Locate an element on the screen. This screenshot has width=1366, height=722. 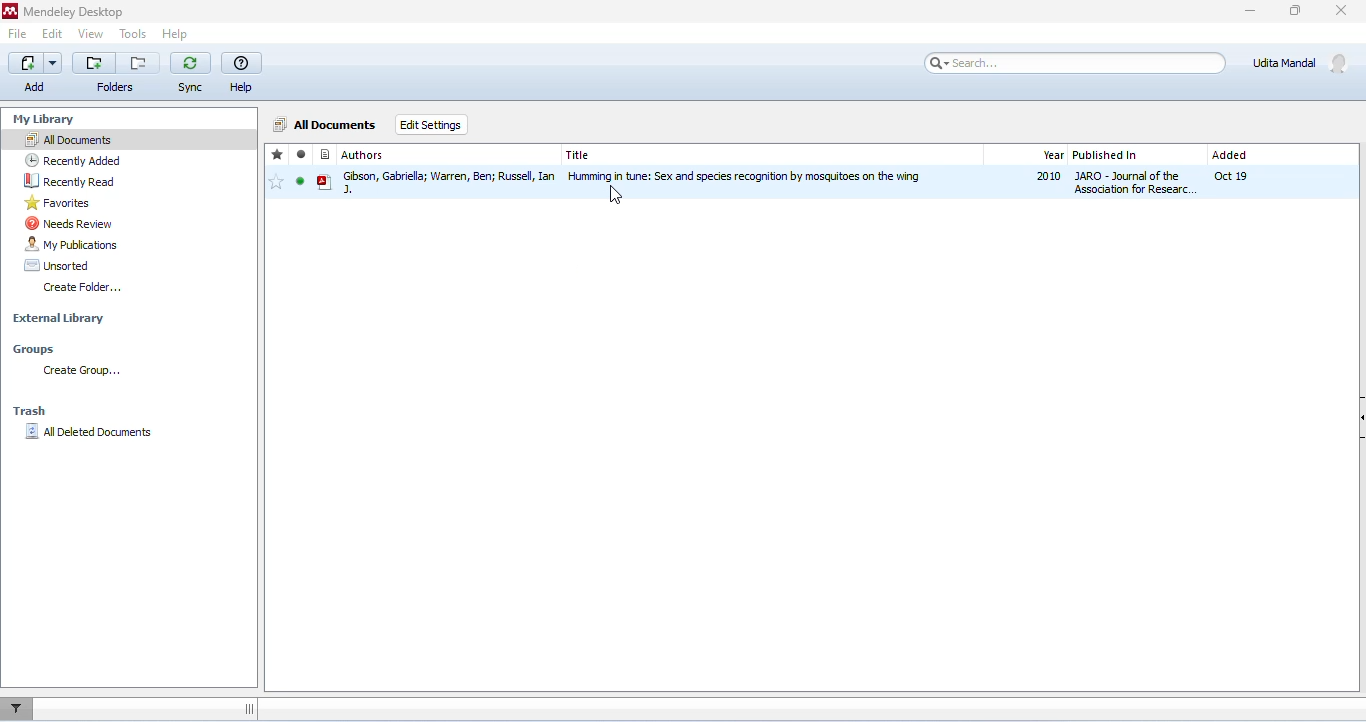
authors is located at coordinates (353, 154).